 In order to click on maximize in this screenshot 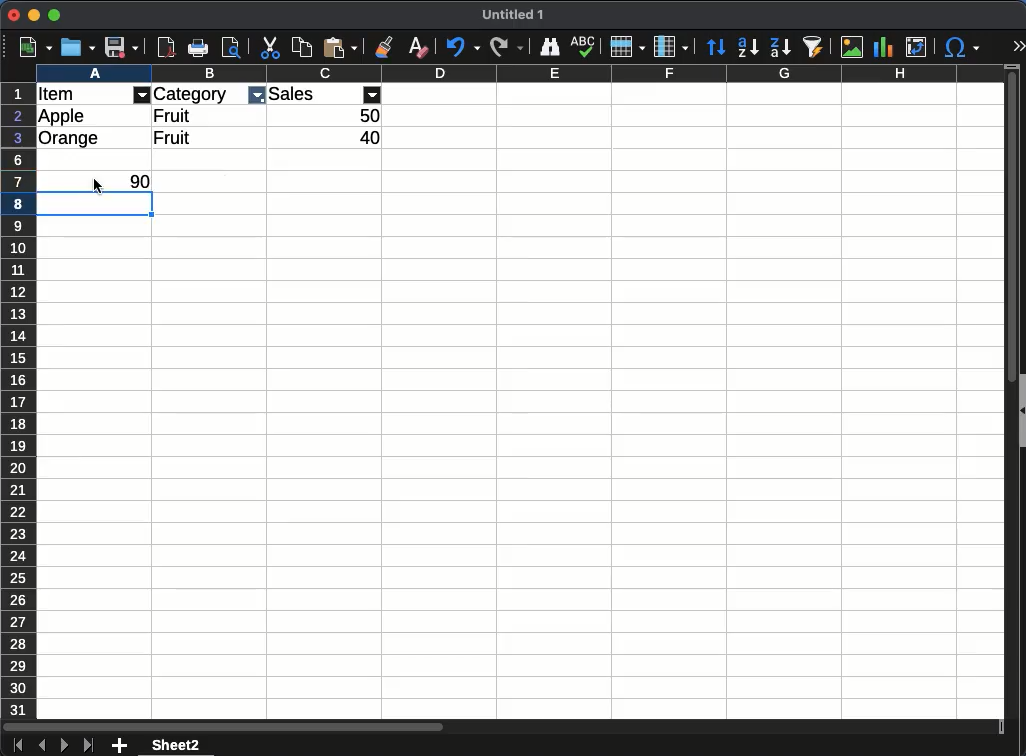, I will do `click(53, 15)`.